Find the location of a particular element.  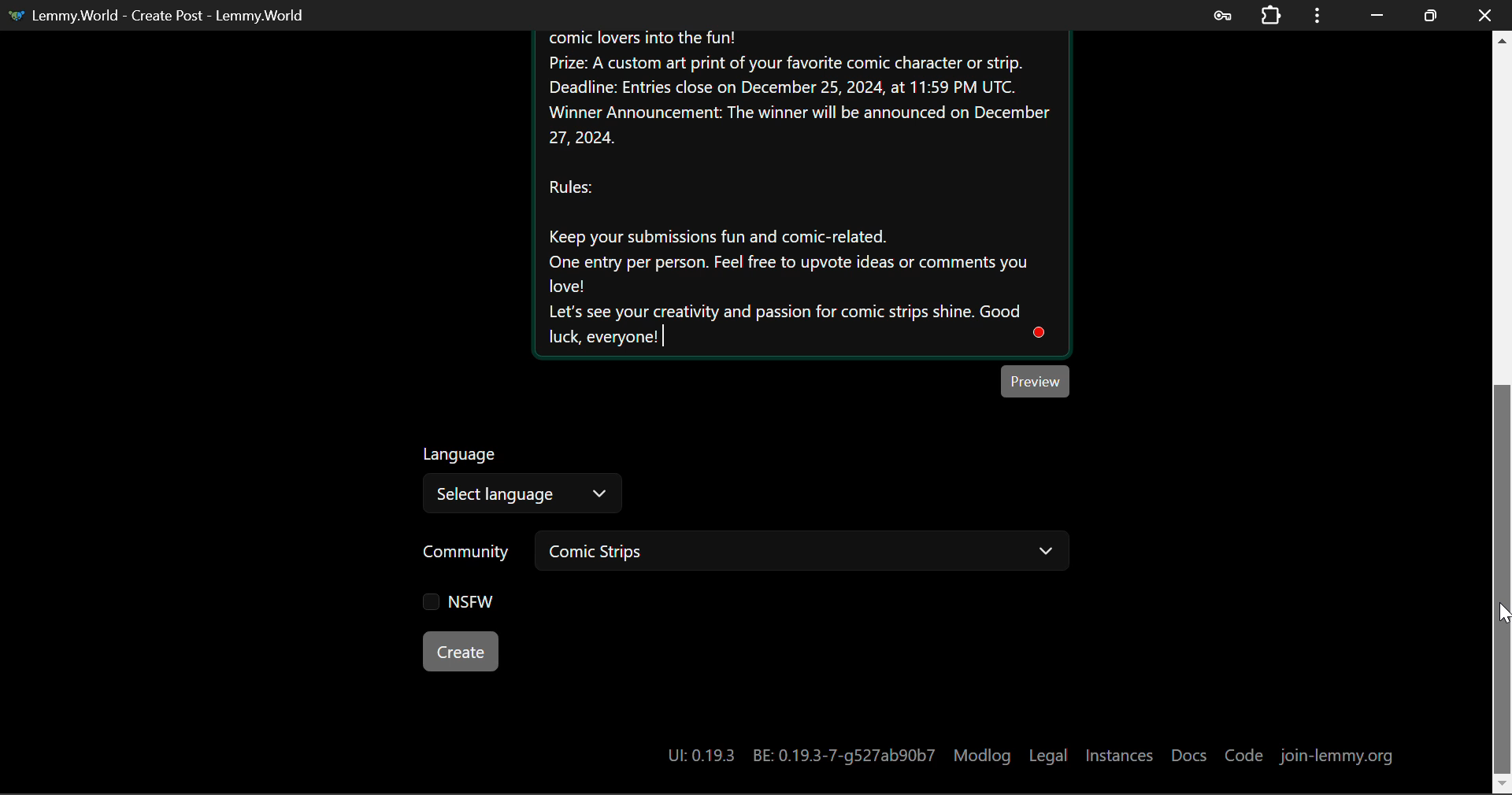

join-lemmy.org is located at coordinates (1334, 758).